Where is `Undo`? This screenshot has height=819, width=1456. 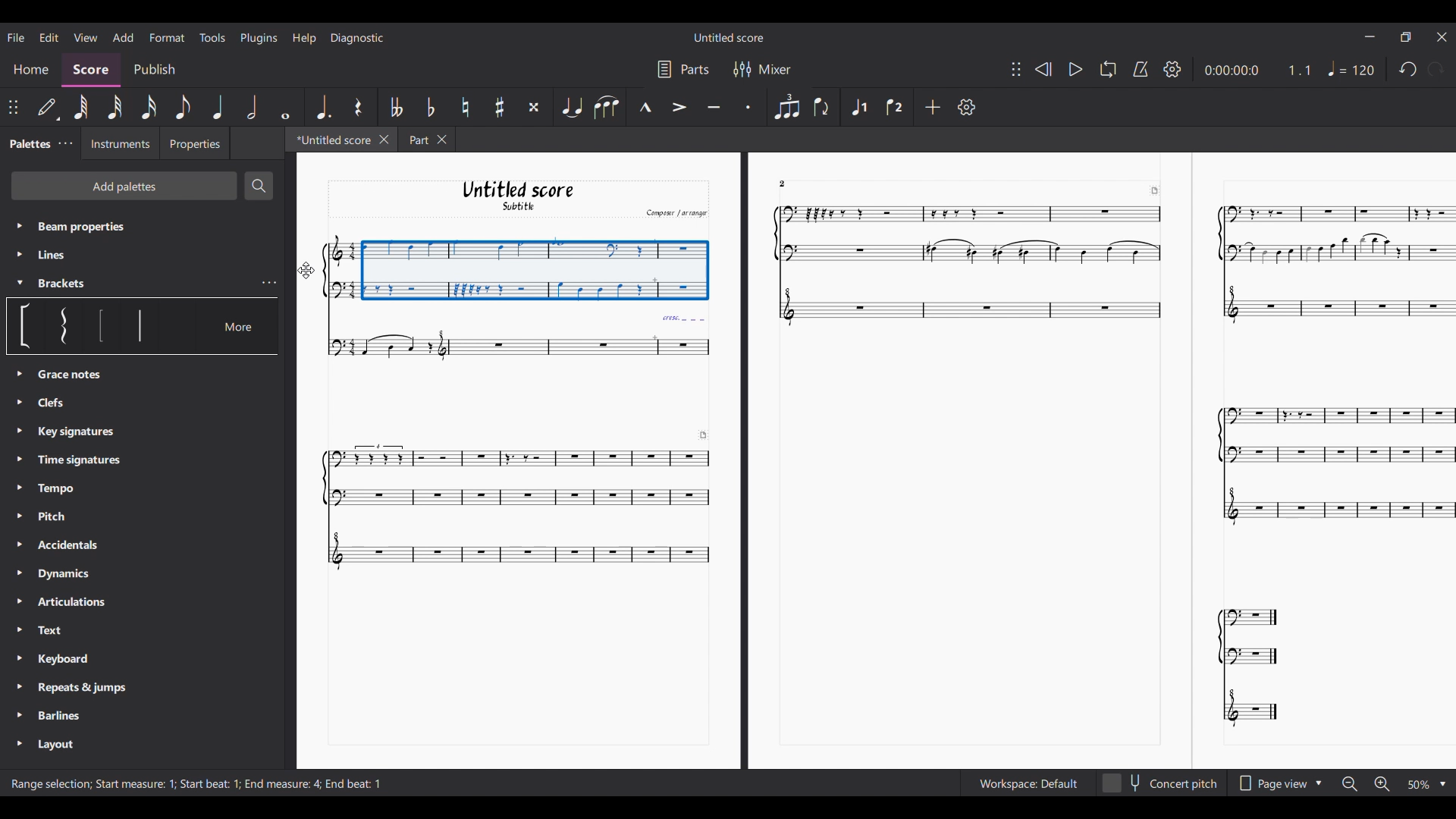
Undo is located at coordinates (1436, 72).